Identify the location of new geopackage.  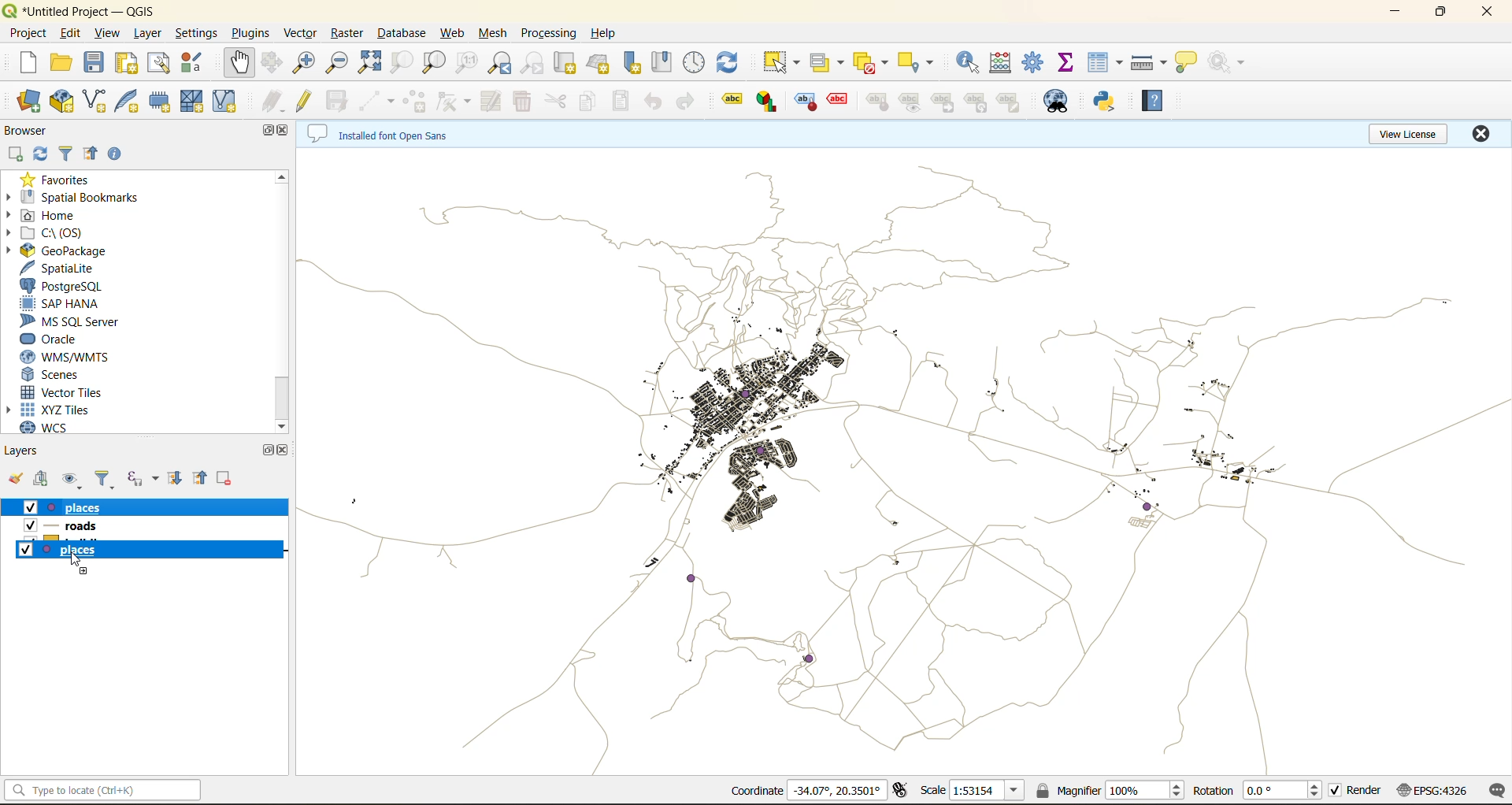
(61, 102).